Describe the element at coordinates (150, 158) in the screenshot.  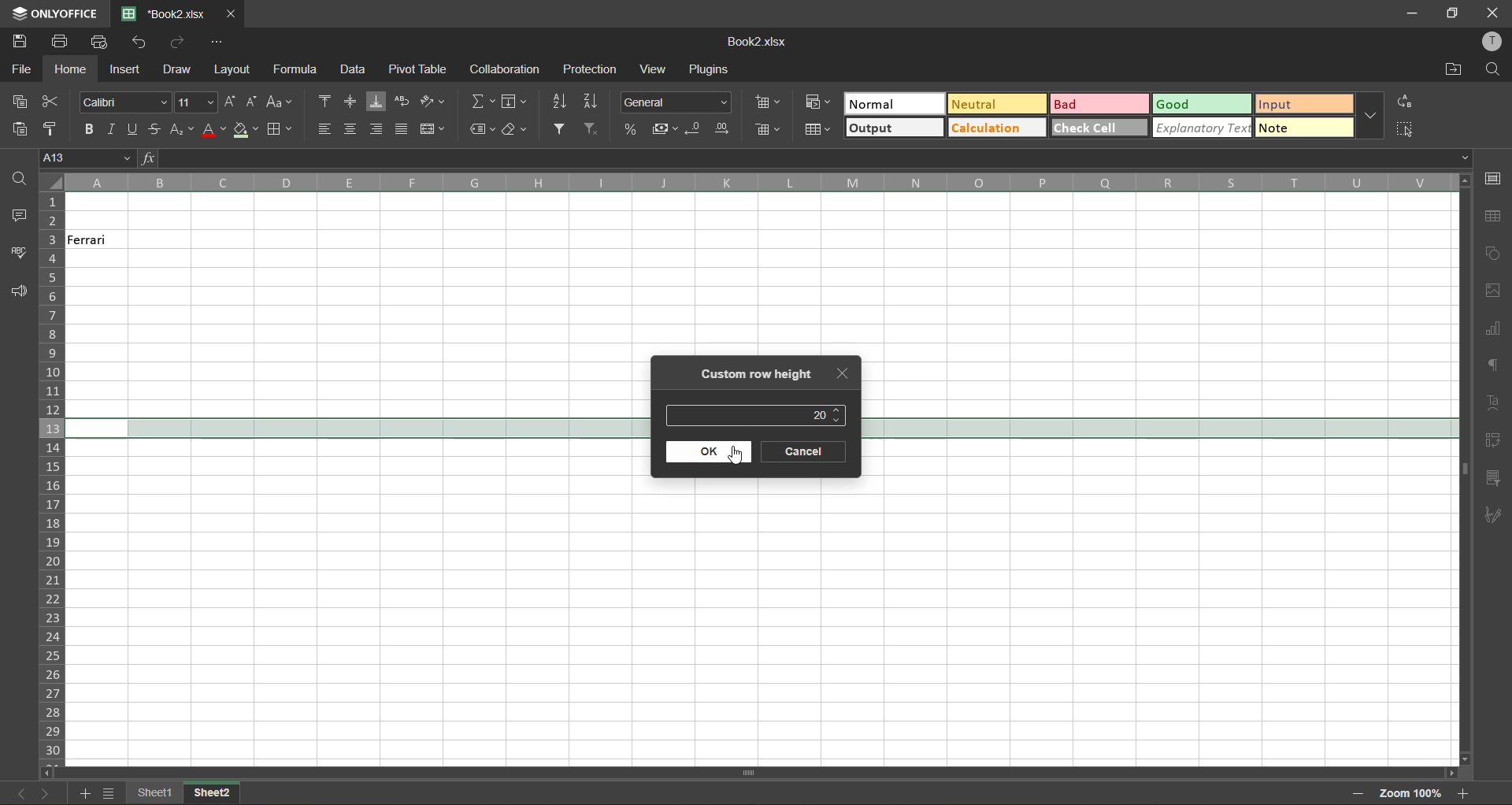
I see `fx` at that location.